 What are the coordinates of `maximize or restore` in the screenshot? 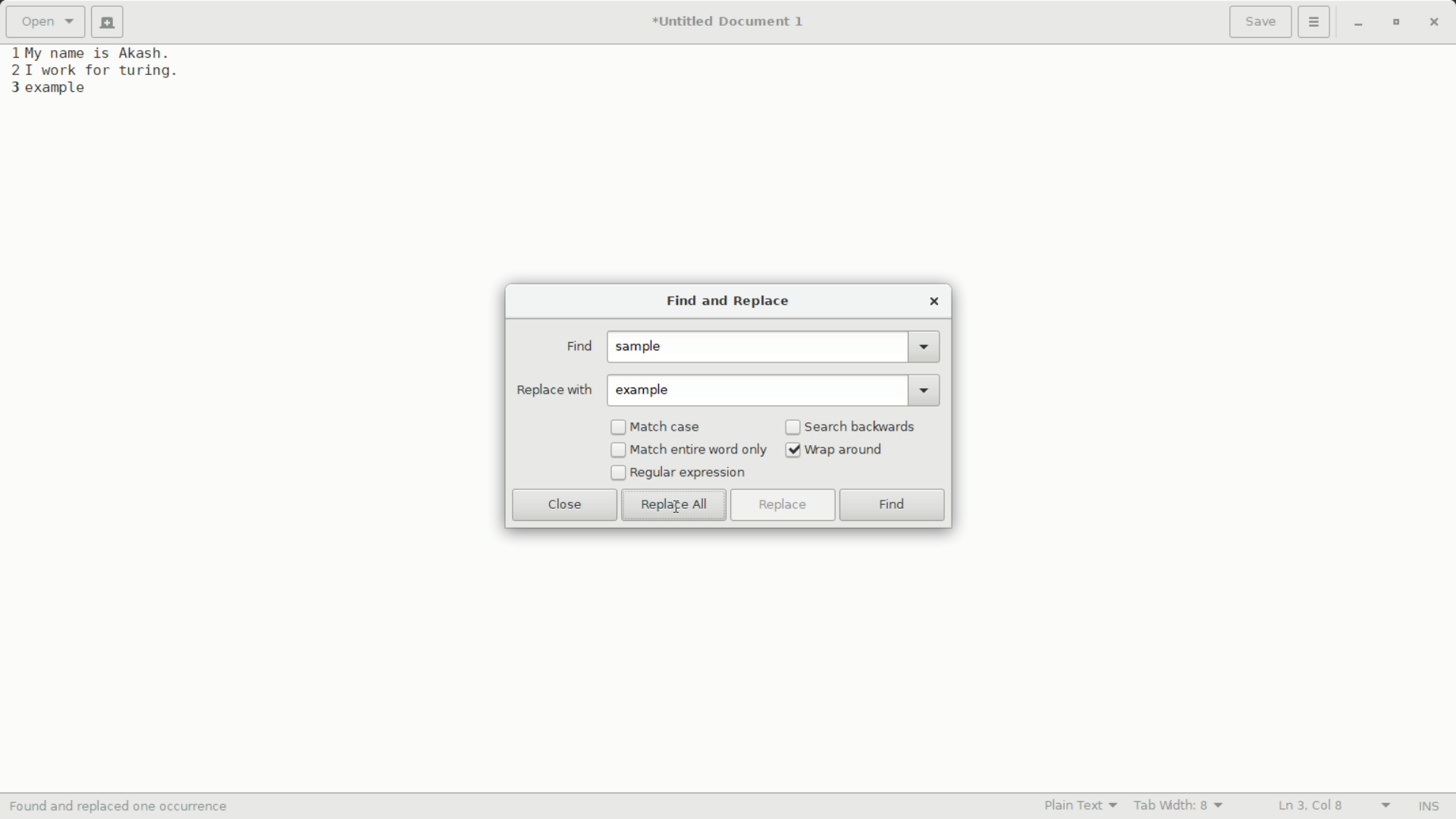 It's located at (1395, 23).